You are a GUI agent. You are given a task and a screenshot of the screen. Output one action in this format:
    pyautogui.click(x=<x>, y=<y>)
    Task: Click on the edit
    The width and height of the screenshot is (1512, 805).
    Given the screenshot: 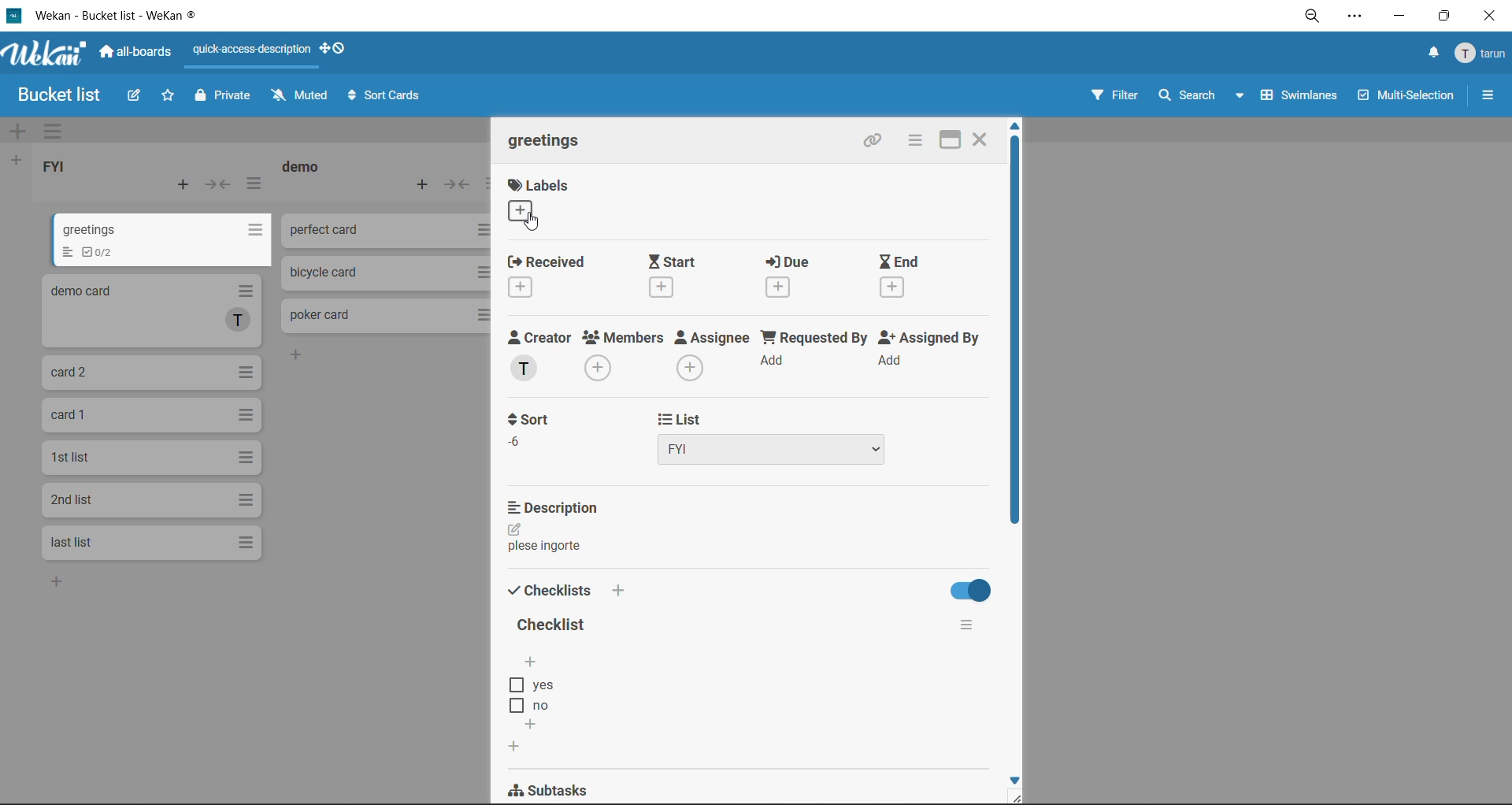 What is the action you would take?
    pyautogui.click(x=135, y=99)
    